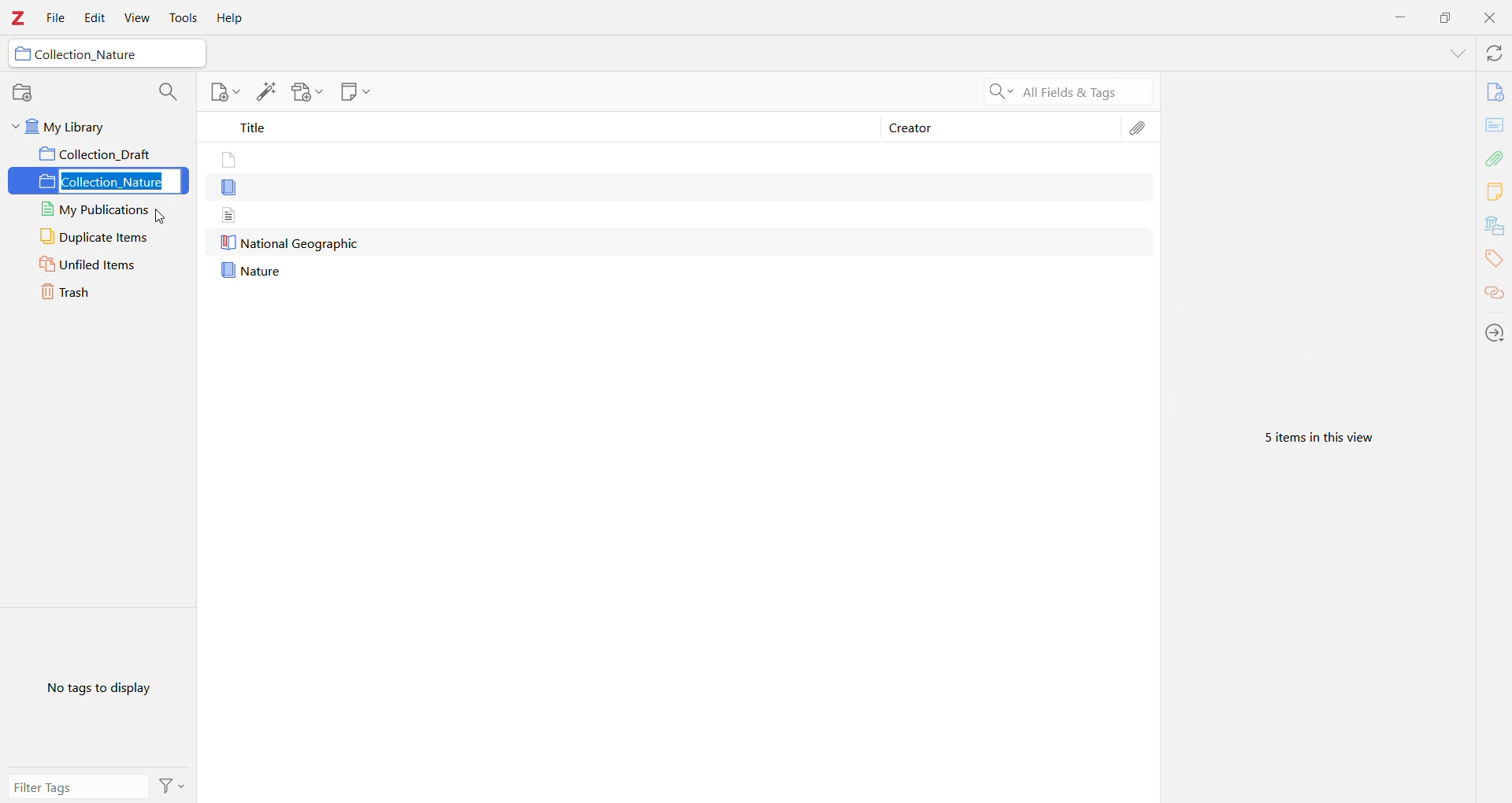  I want to click on Sync with Zotero.org, so click(1492, 54).